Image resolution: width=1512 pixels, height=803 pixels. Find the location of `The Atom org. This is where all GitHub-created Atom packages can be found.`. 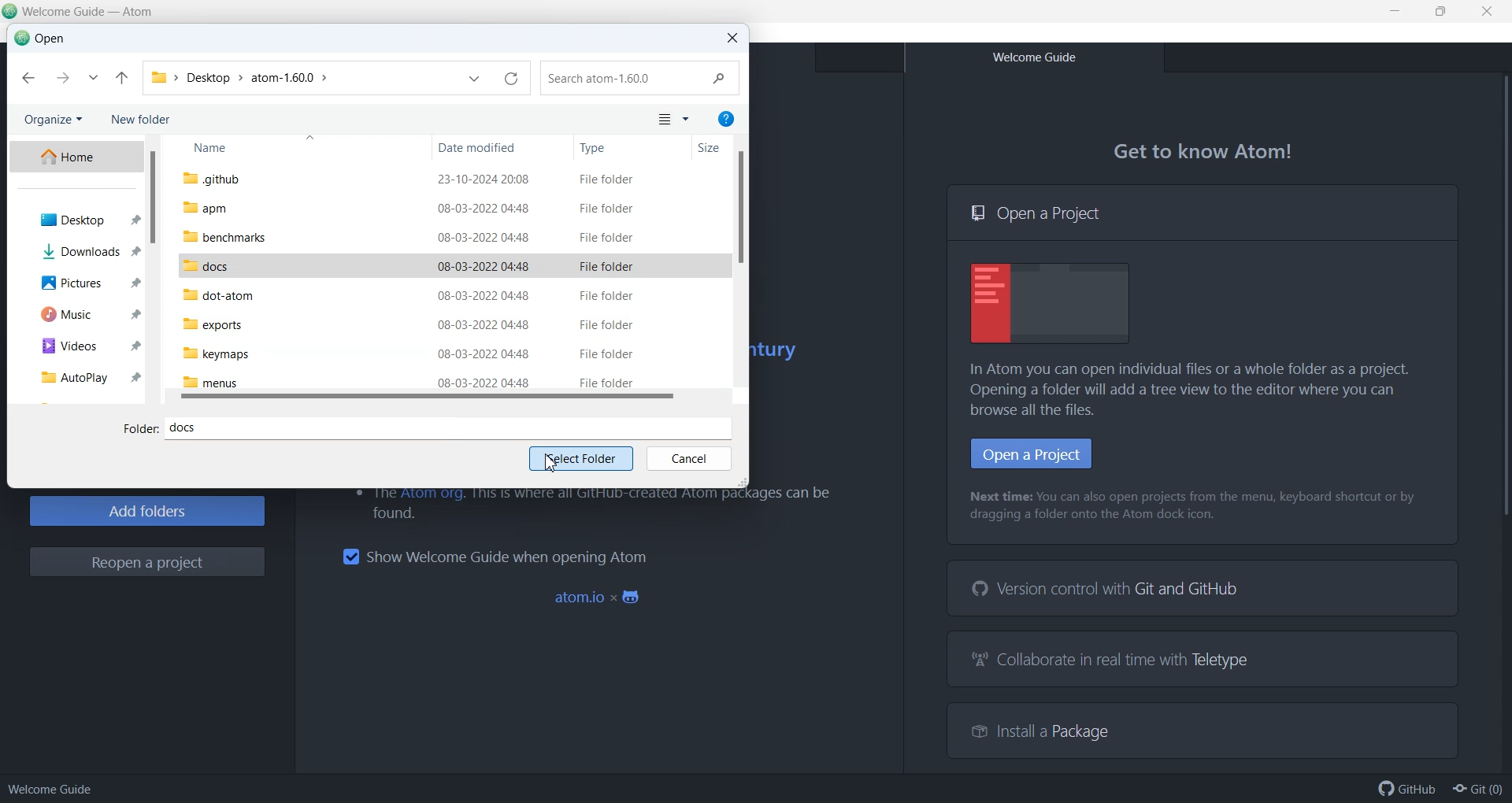

The Atom org. This is where all GitHub-created Atom packages can be found. is located at coordinates (587, 505).